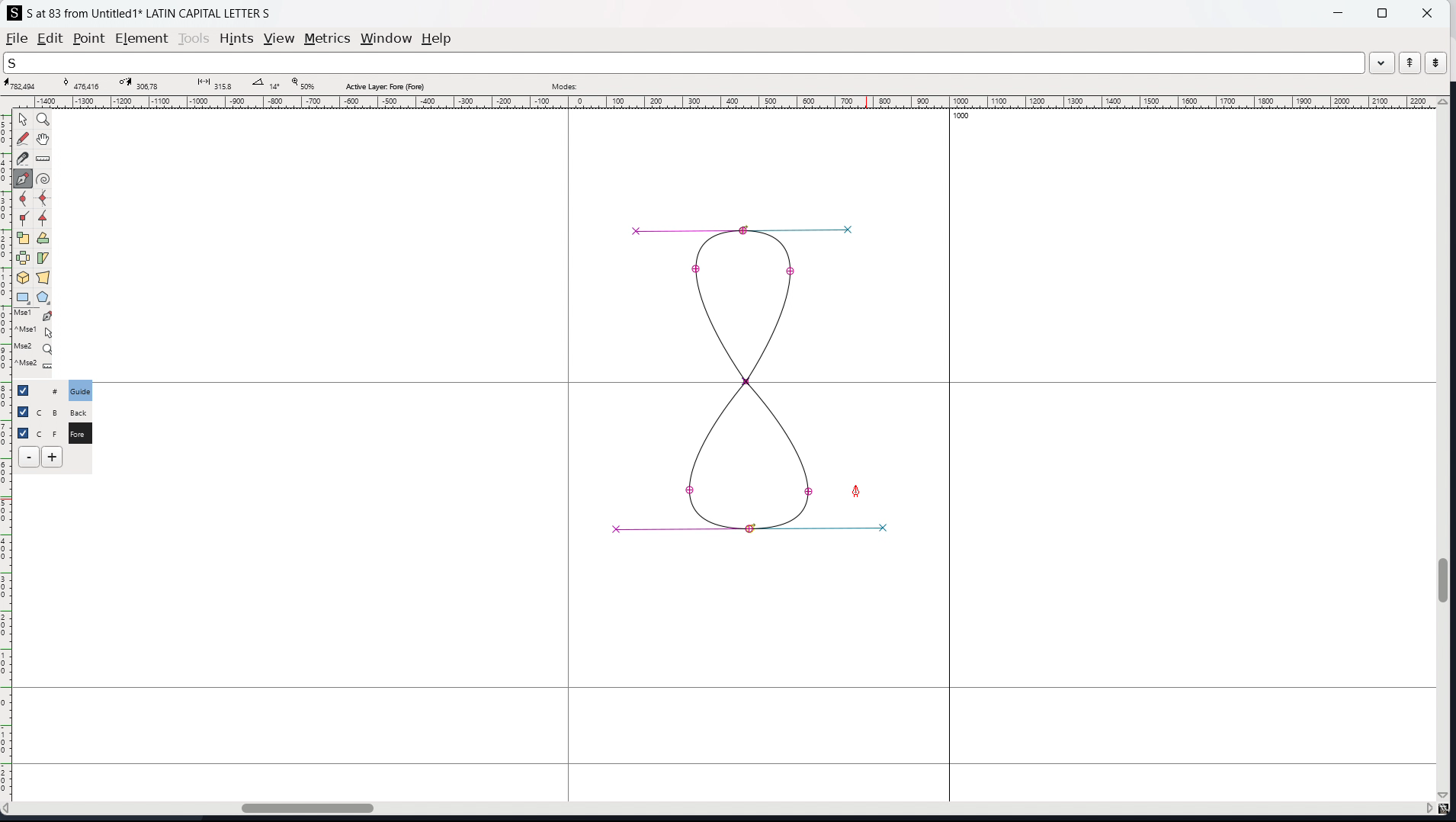 The height and width of the screenshot is (822, 1456). I want to click on ^Mse1, so click(34, 332).